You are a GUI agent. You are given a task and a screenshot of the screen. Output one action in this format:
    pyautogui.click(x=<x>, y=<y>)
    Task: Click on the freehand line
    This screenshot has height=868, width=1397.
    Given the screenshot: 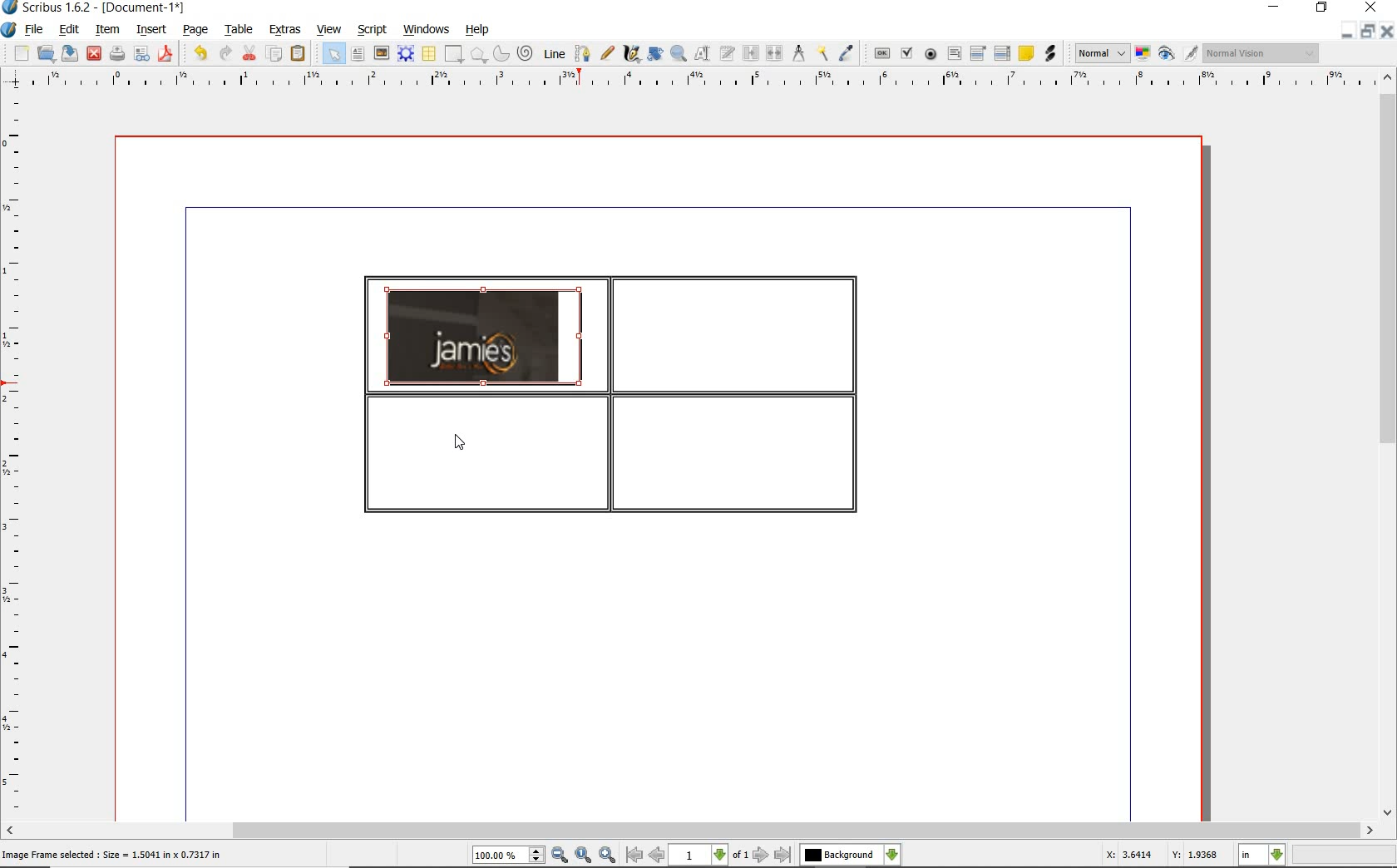 What is the action you would take?
    pyautogui.click(x=609, y=54)
    